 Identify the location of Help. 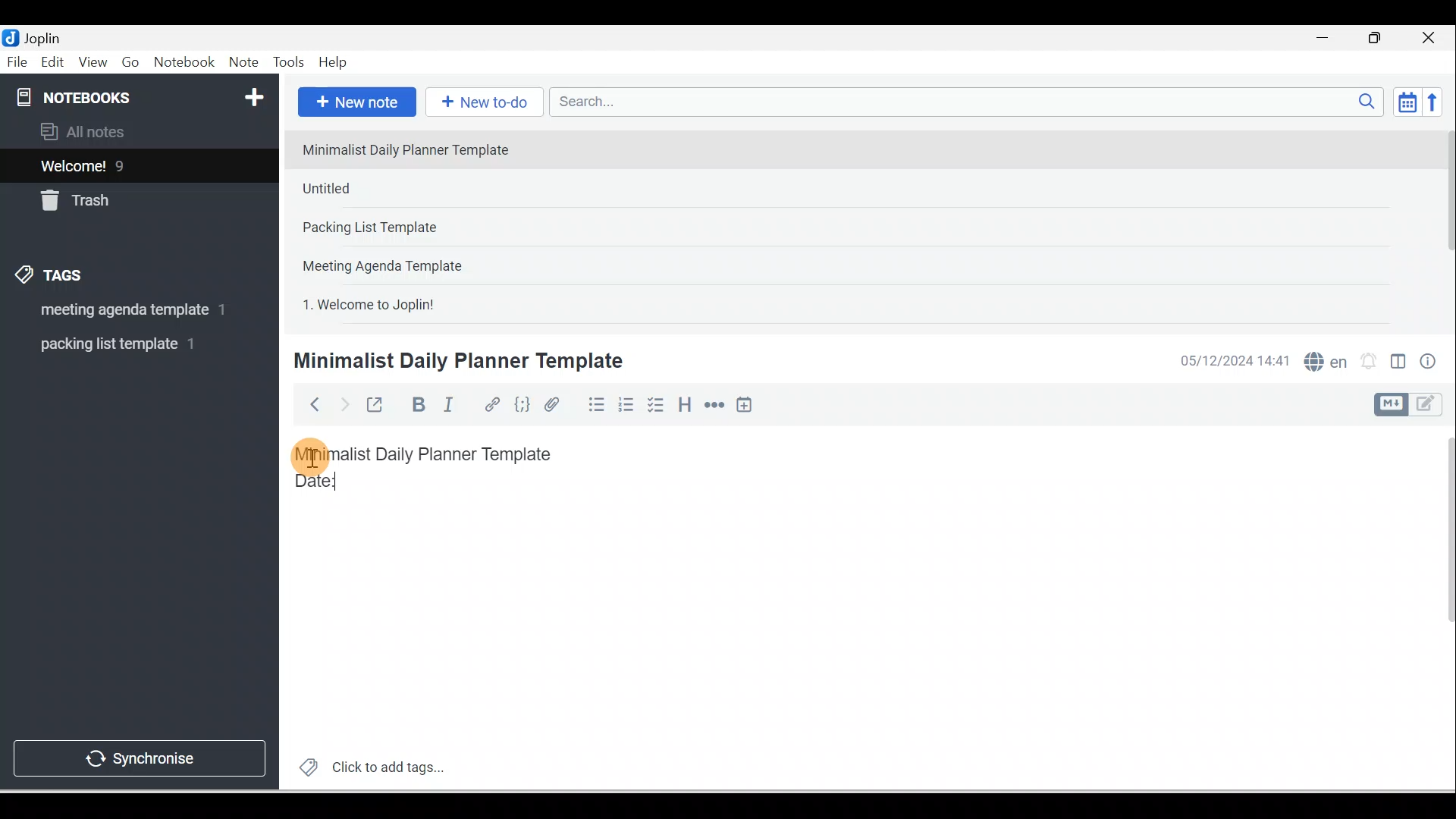
(334, 63).